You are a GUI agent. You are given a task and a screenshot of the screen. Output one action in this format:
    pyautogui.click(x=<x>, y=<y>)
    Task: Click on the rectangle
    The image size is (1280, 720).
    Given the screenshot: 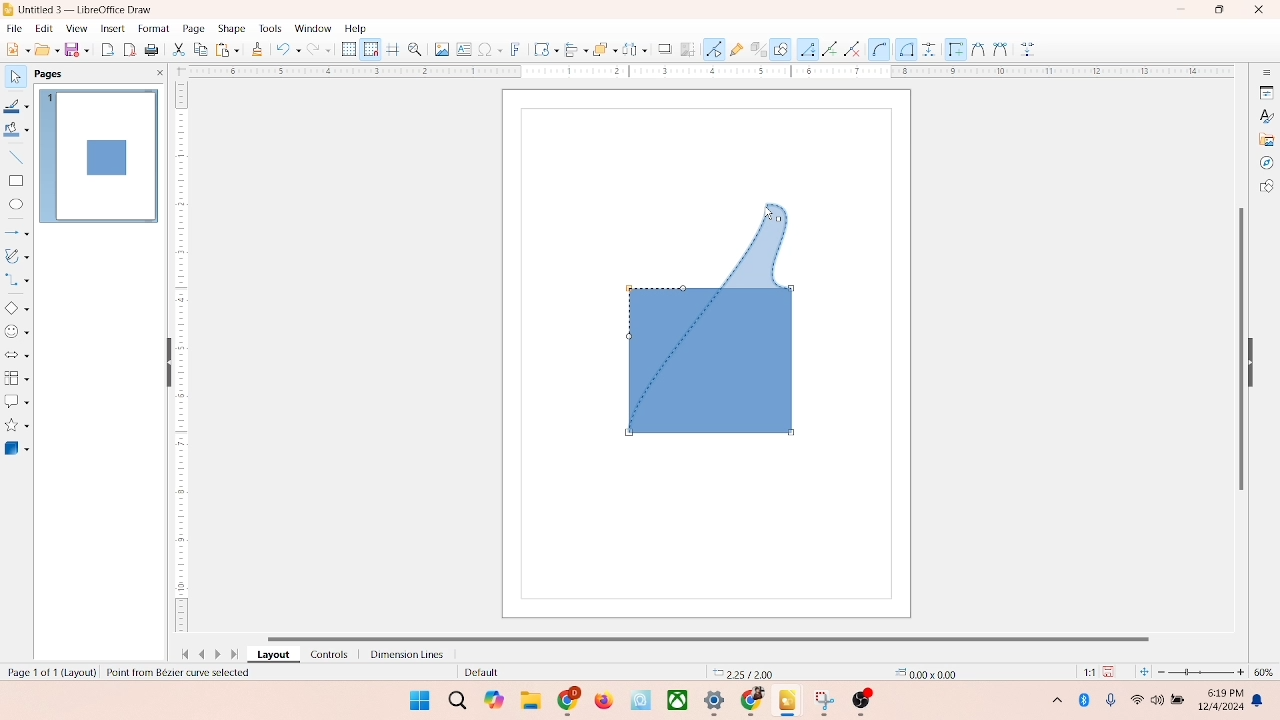 What is the action you would take?
    pyautogui.click(x=16, y=180)
    